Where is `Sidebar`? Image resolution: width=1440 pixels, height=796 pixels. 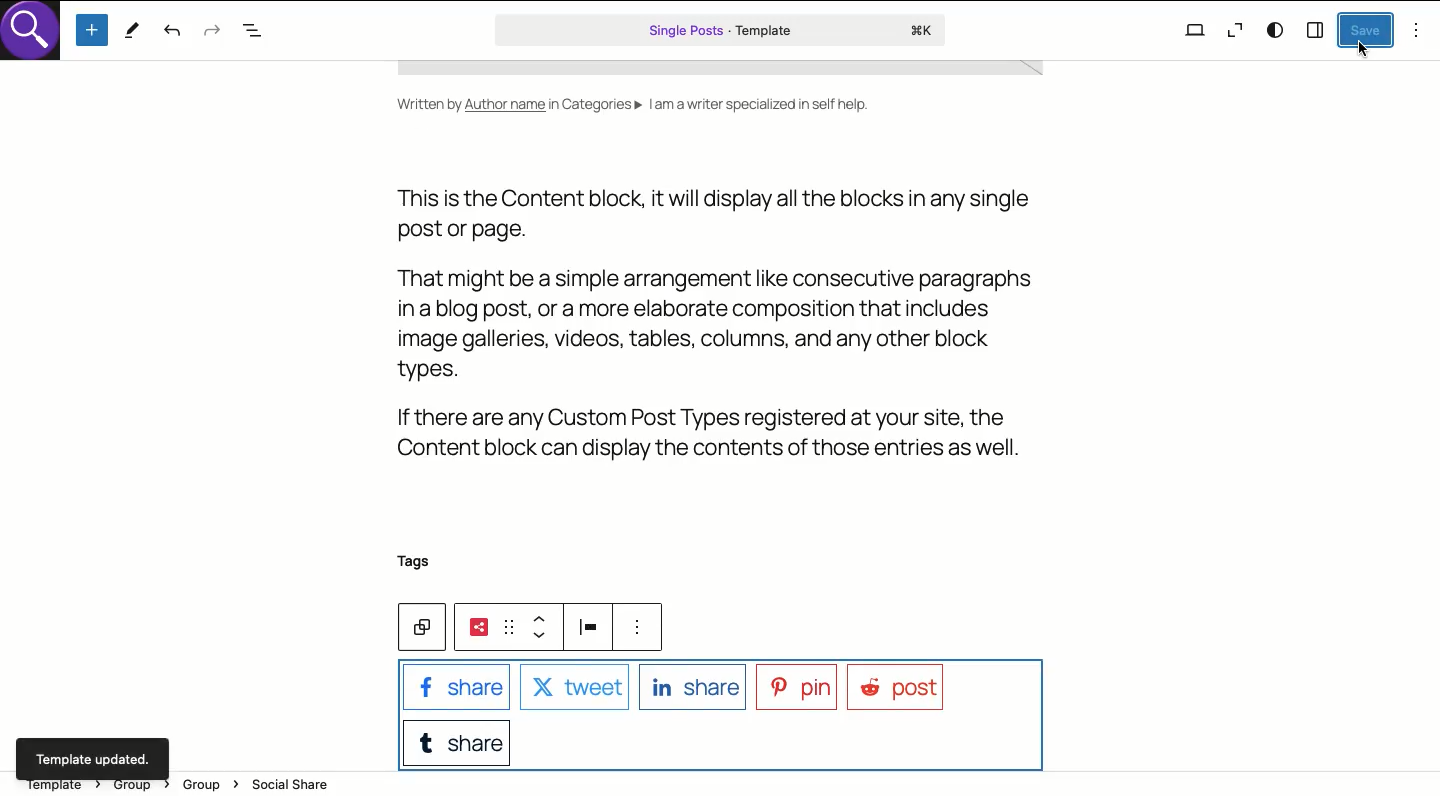 Sidebar is located at coordinates (1316, 28).